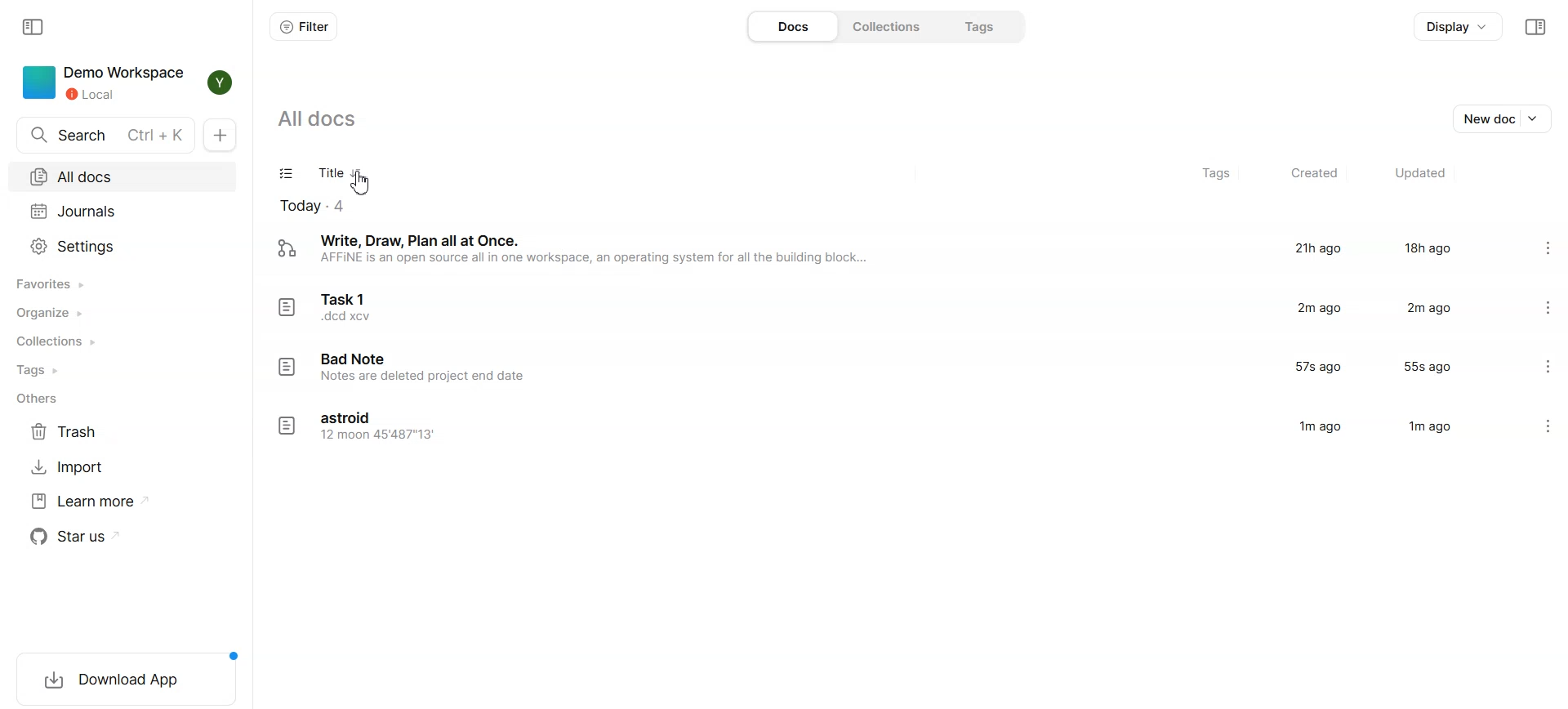 The height and width of the screenshot is (709, 1568). I want to click on New Doc, so click(220, 135).